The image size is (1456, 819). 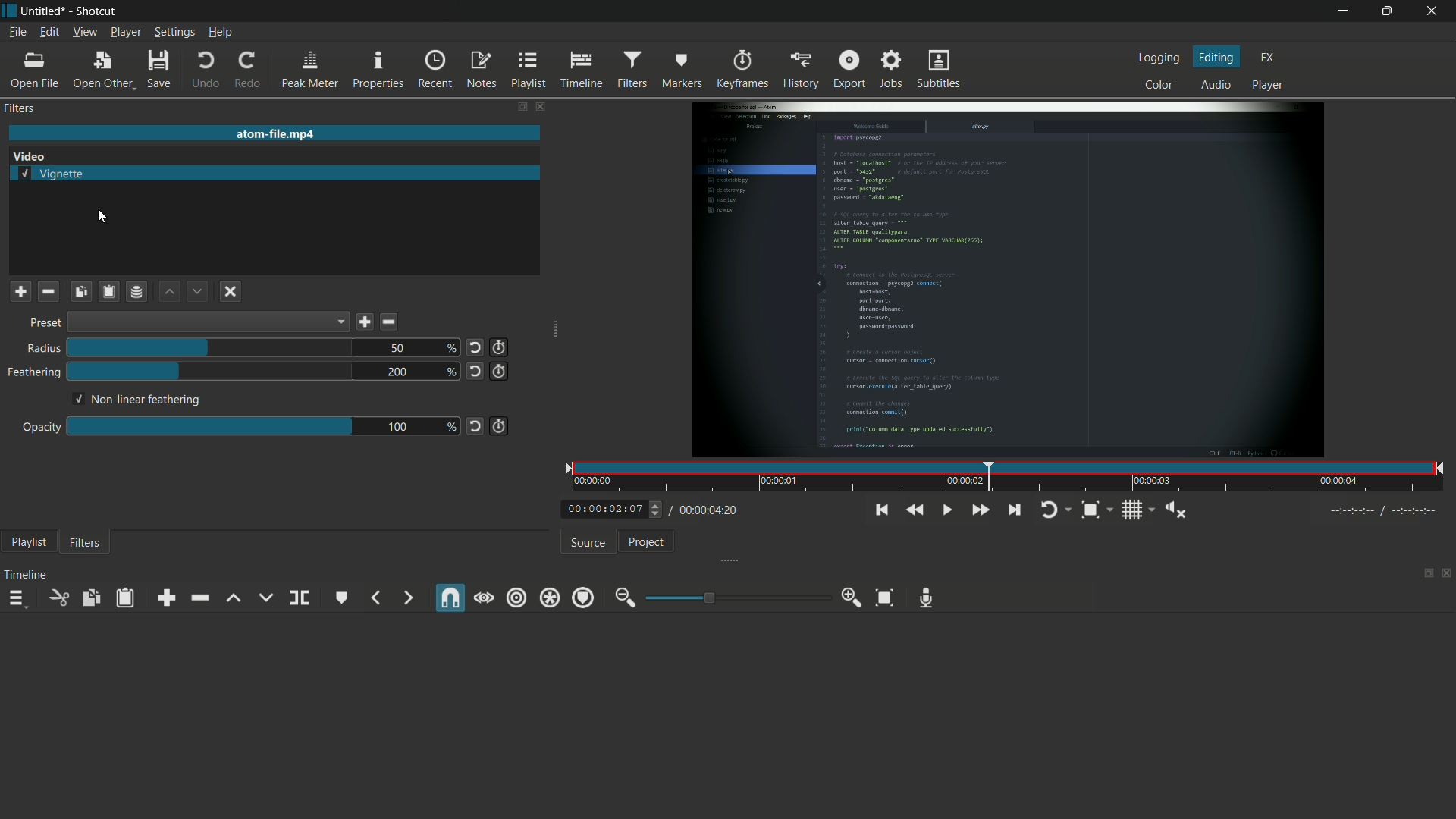 What do you see at coordinates (232, 290) in the screenshot?
I see `deselect the filter` at bounding box center [232, 290].